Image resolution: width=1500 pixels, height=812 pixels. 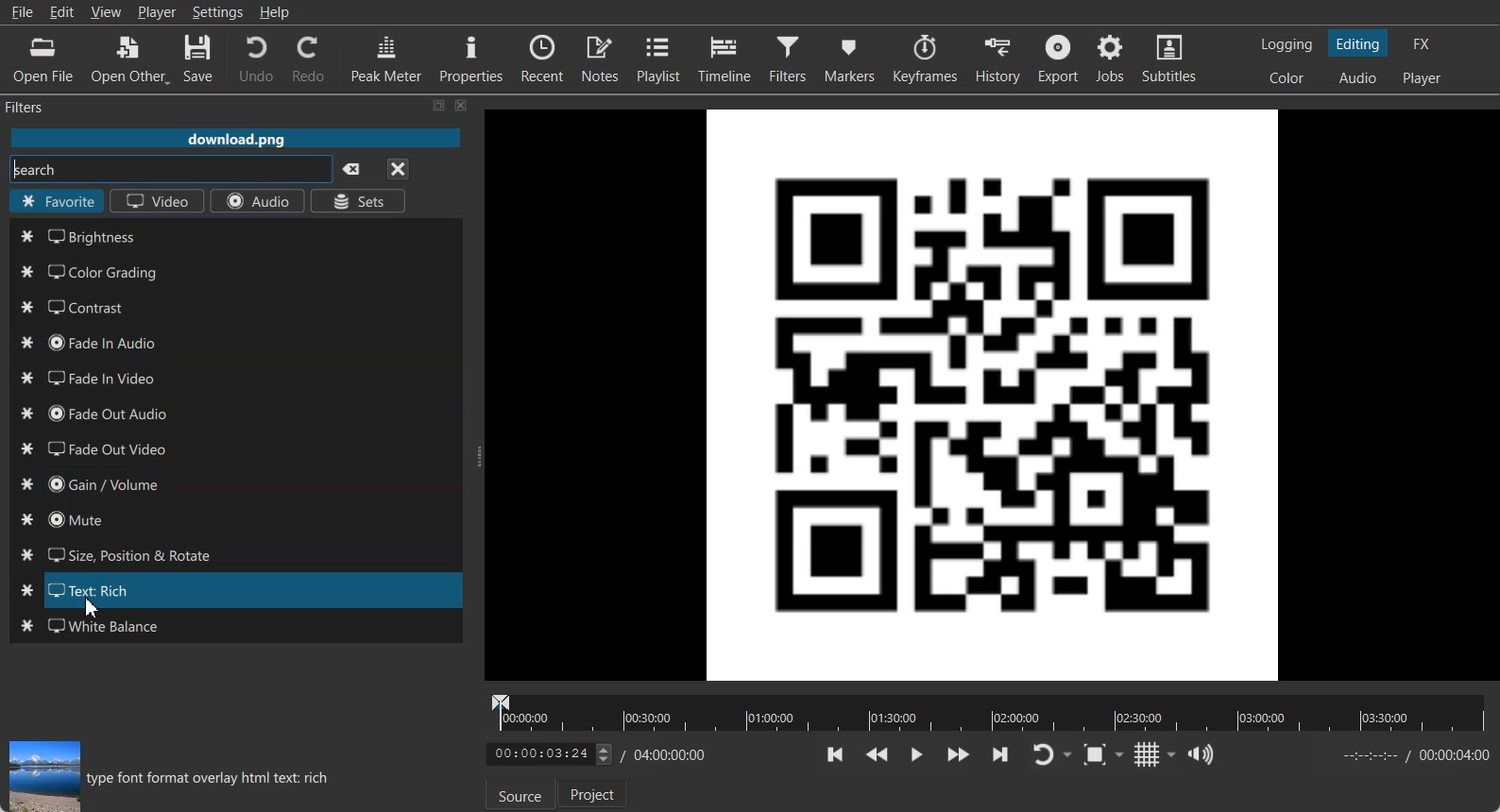 What do you see at coordinates (235, 343) in the screenshot?
I see `Fade In Audio` at bounding box center [235, 343].